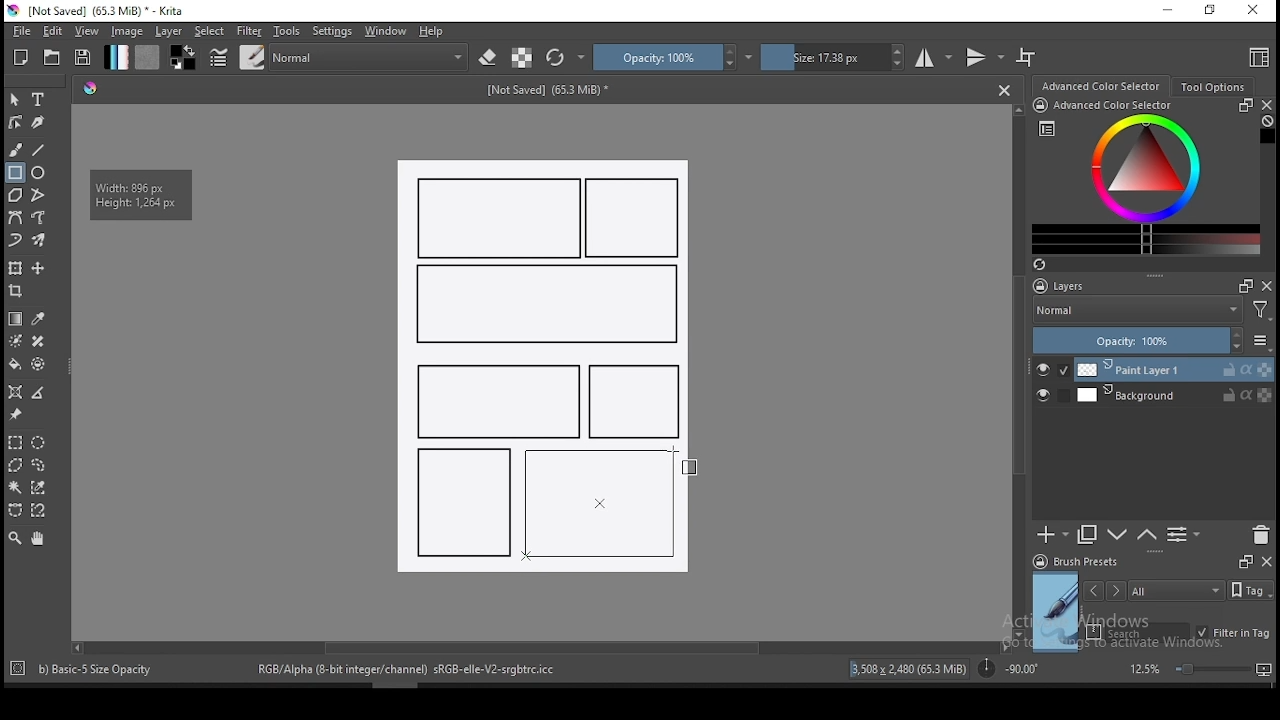 The height and width of the screenshot is (720, 1280). What do you see at coordinates (18, 293) in the screenshot?
I see `crop tool` at bounding box center [18, 293].